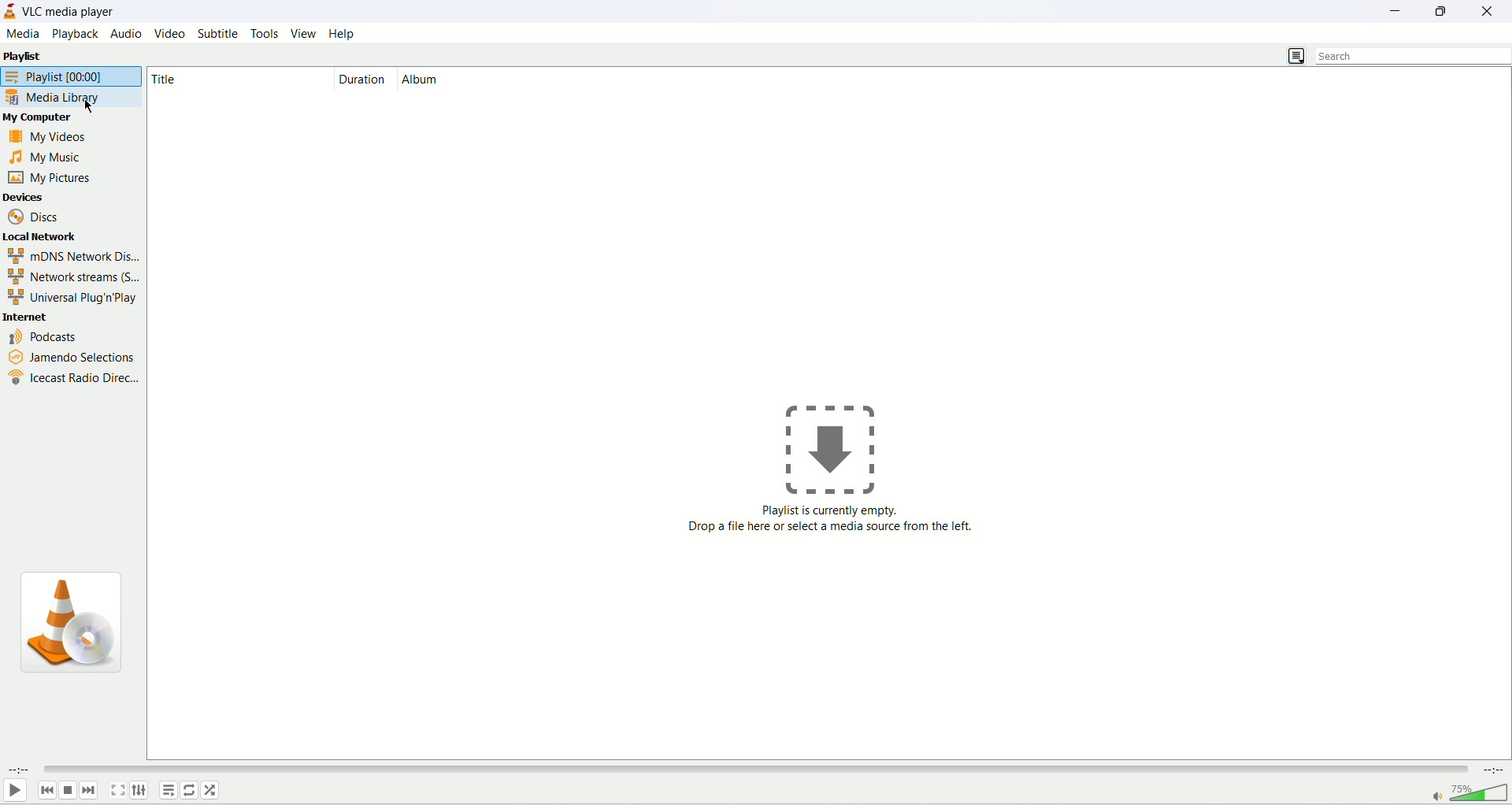  Describe the element at coordinates (842, 446) in the screenshot. I see `icon` at that location.